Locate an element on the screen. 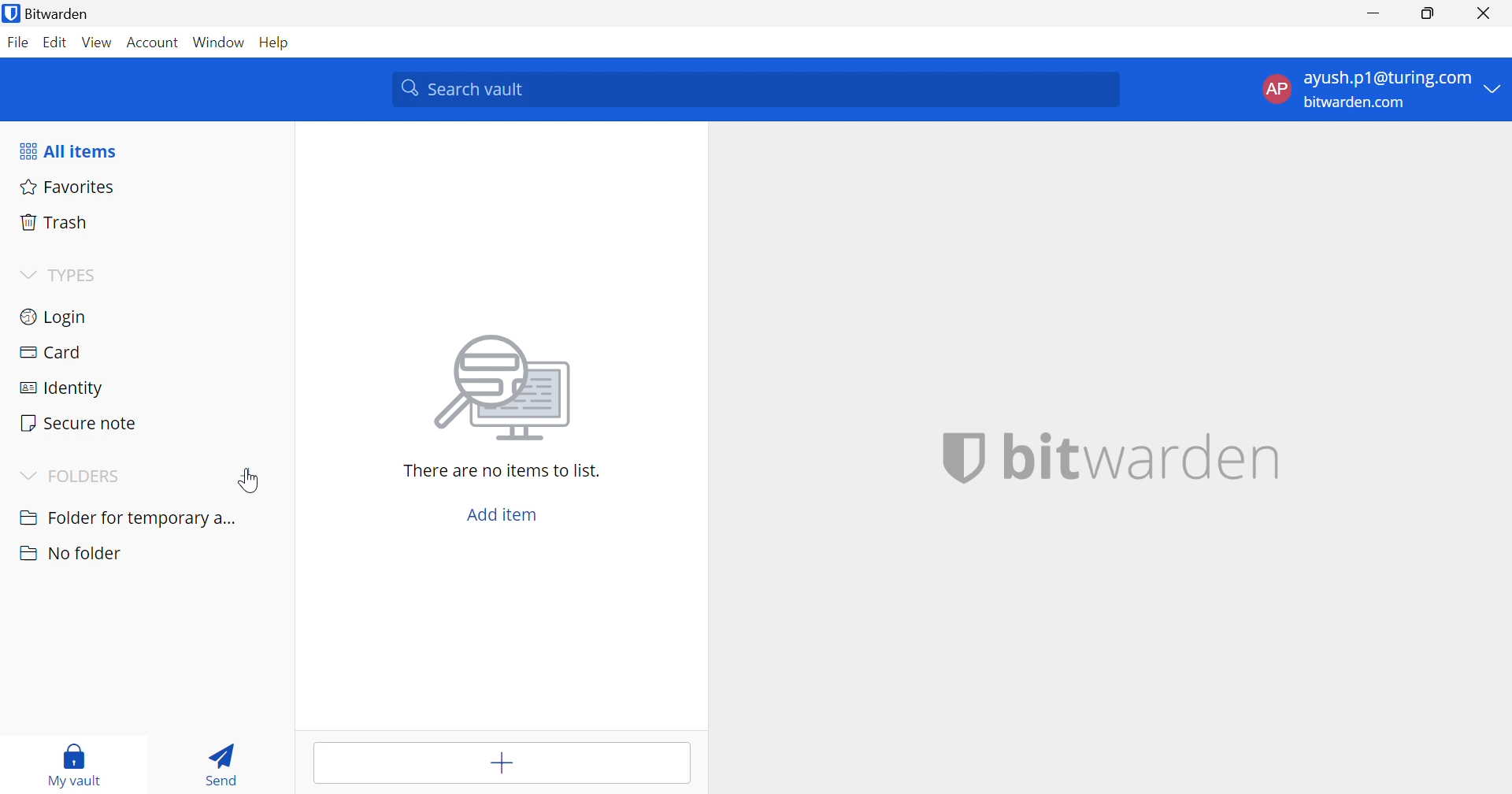 The height and width of the screenshot is (794, 1512). Trash is located at coordinates (55, 222).